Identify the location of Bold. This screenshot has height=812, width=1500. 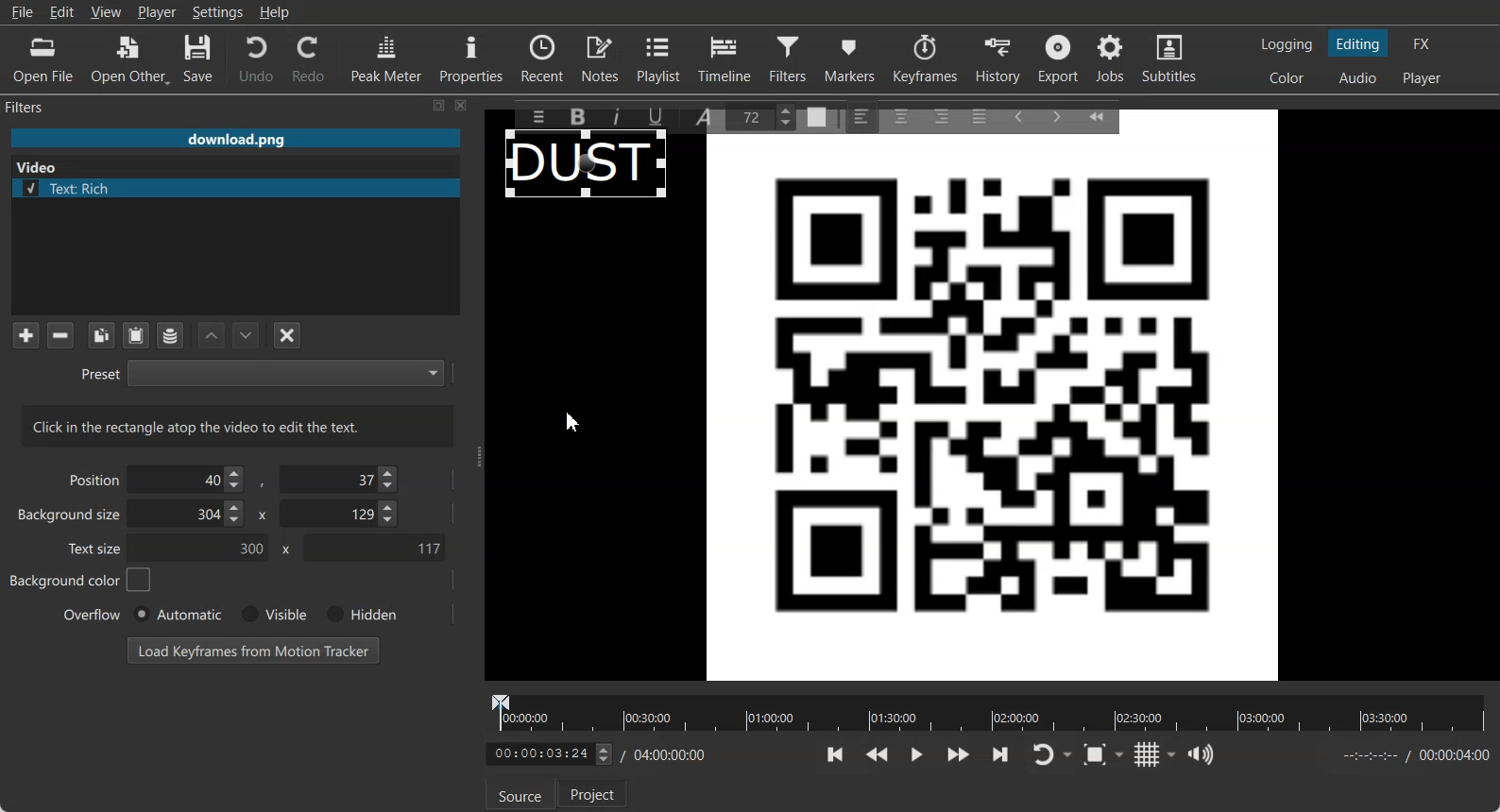
(576, 117).